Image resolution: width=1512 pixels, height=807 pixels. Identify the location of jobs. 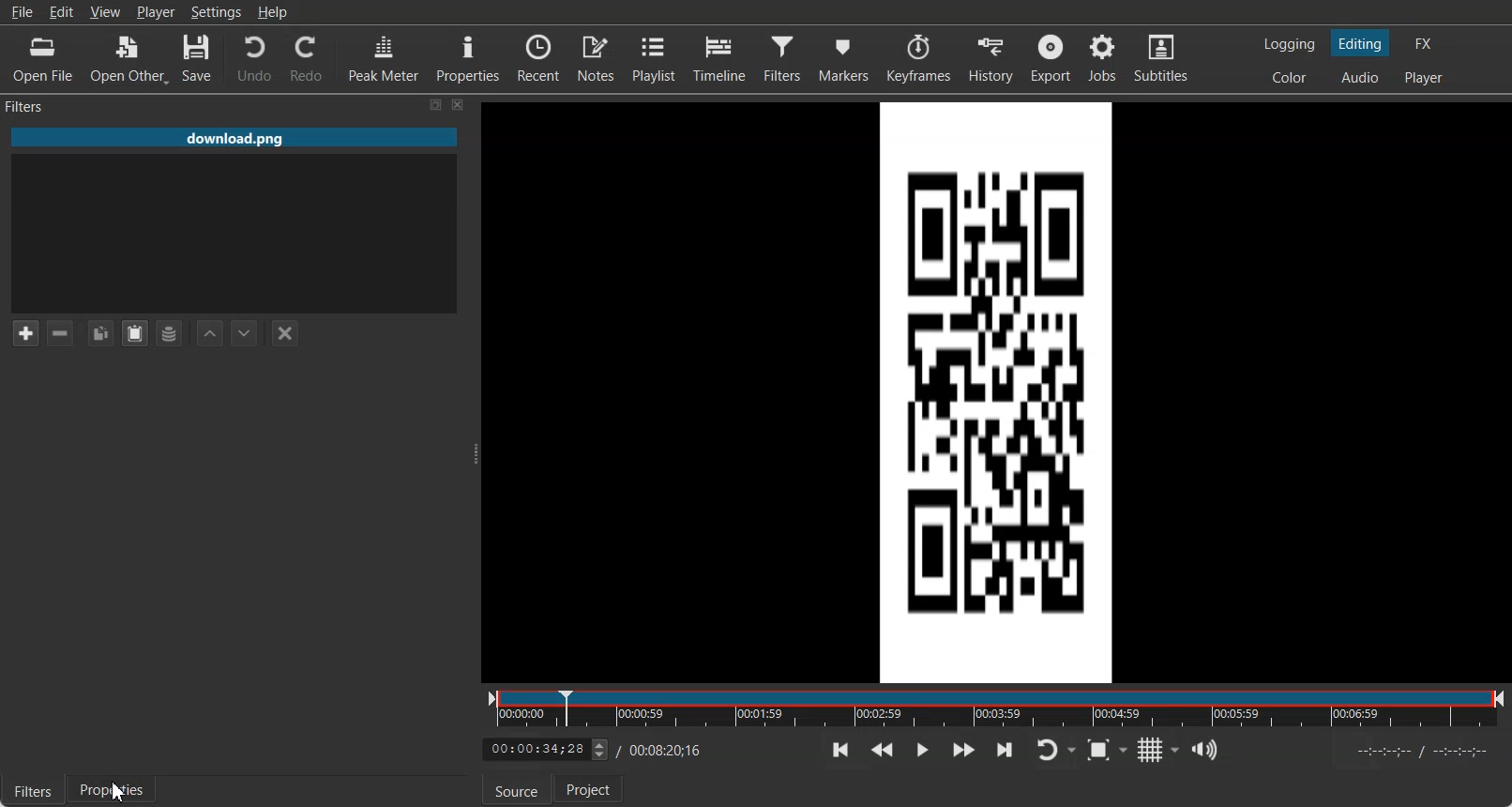
(1103, 59).